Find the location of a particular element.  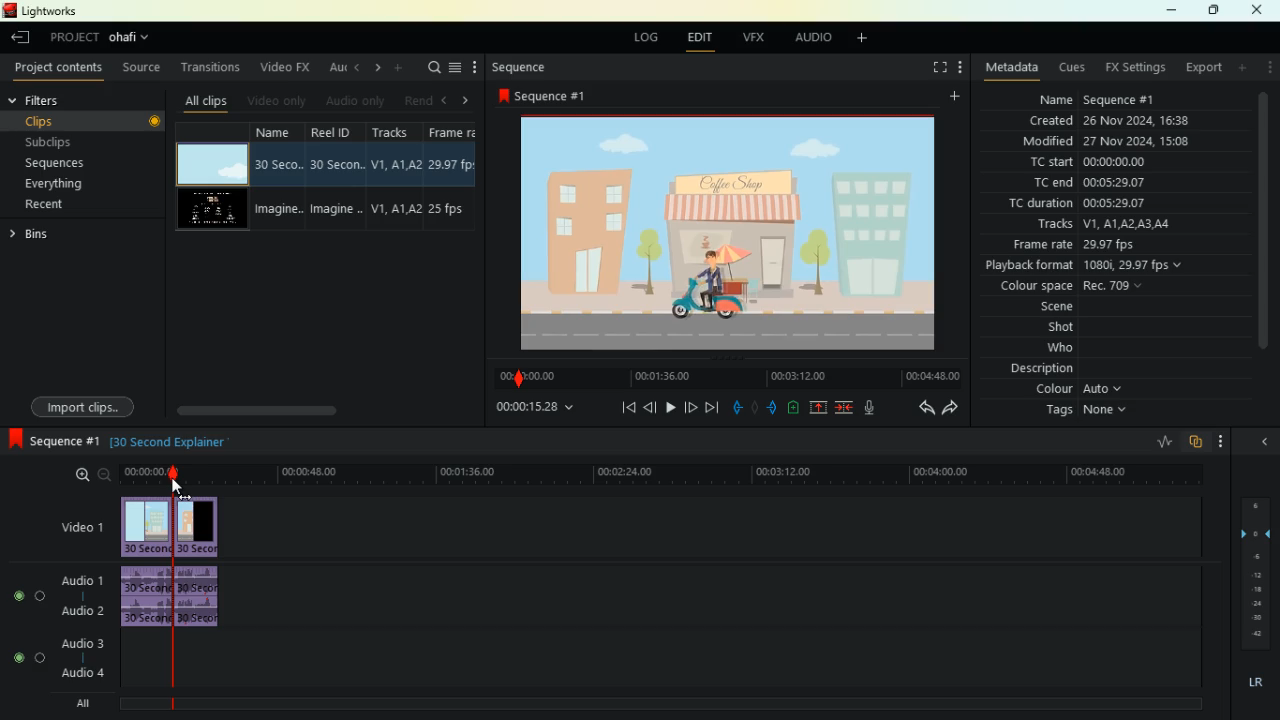

close is located at coordinates (1257, 10).